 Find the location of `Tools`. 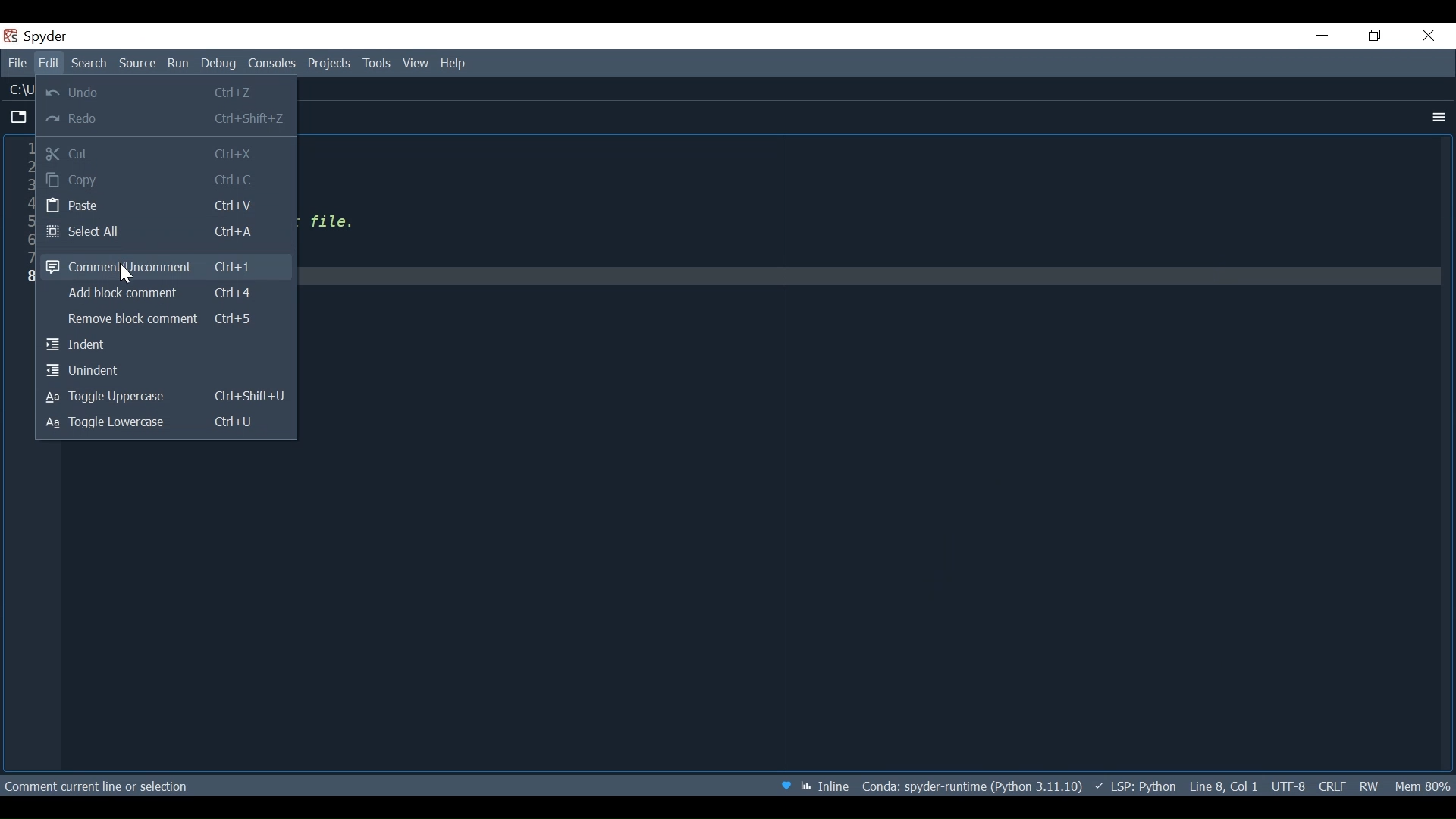

Tools is located at coordinates (377, 64).